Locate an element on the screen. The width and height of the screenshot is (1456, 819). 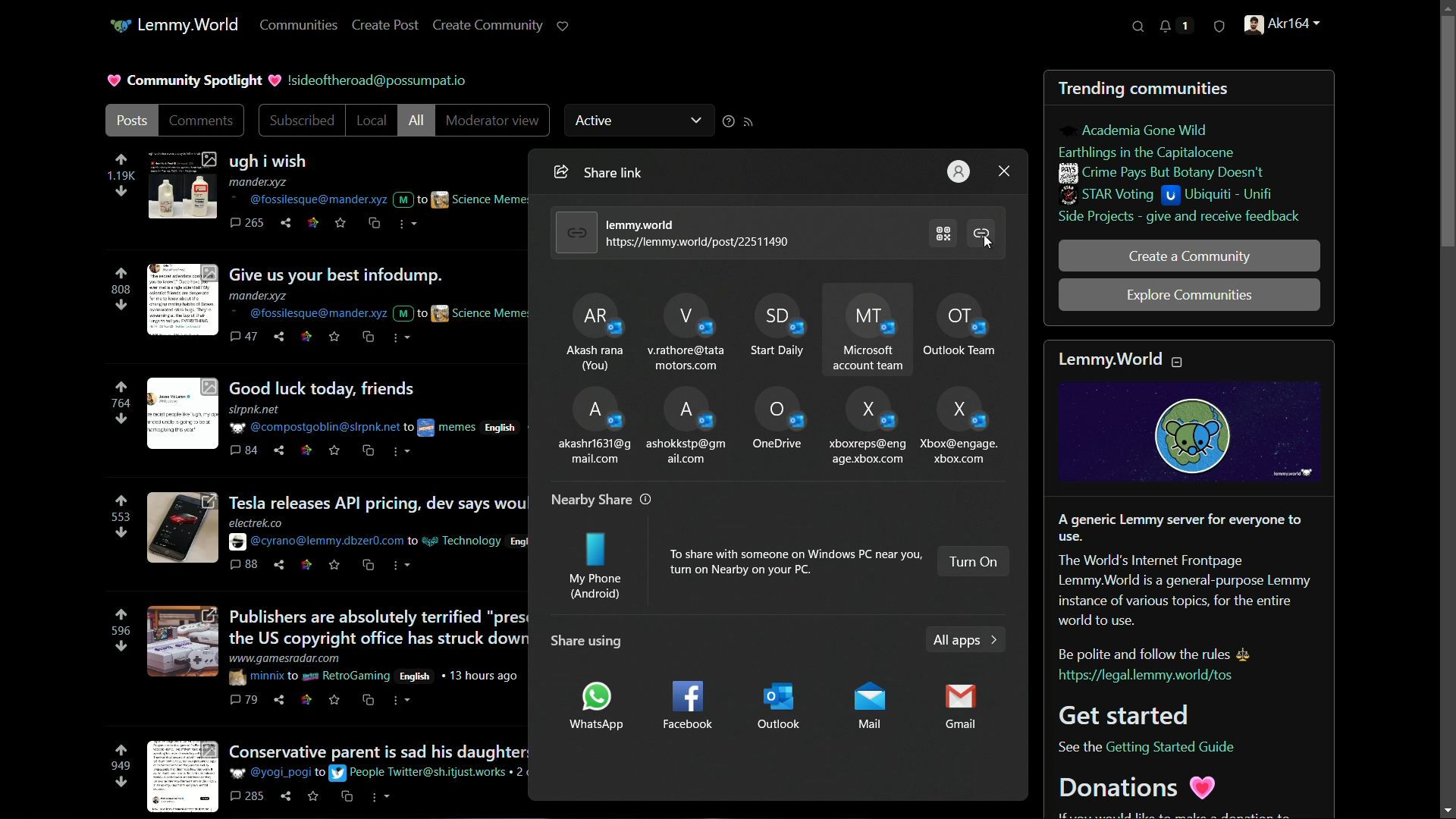
scroll bar is located at coordinates (1439, 408).